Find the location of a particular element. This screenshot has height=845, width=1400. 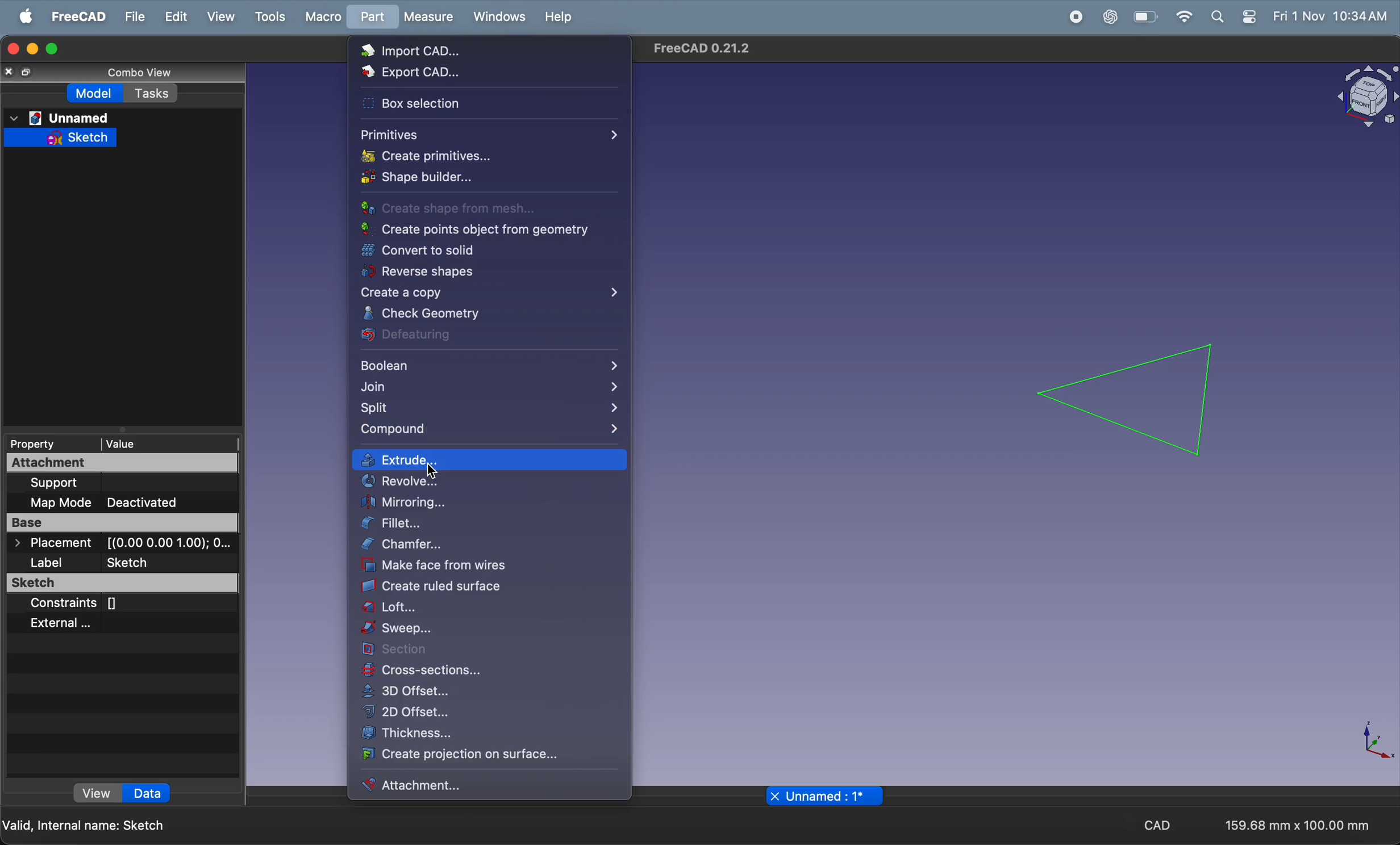

Fri 1 Nov 10:34 AM is located at coordinates (1330, 17).